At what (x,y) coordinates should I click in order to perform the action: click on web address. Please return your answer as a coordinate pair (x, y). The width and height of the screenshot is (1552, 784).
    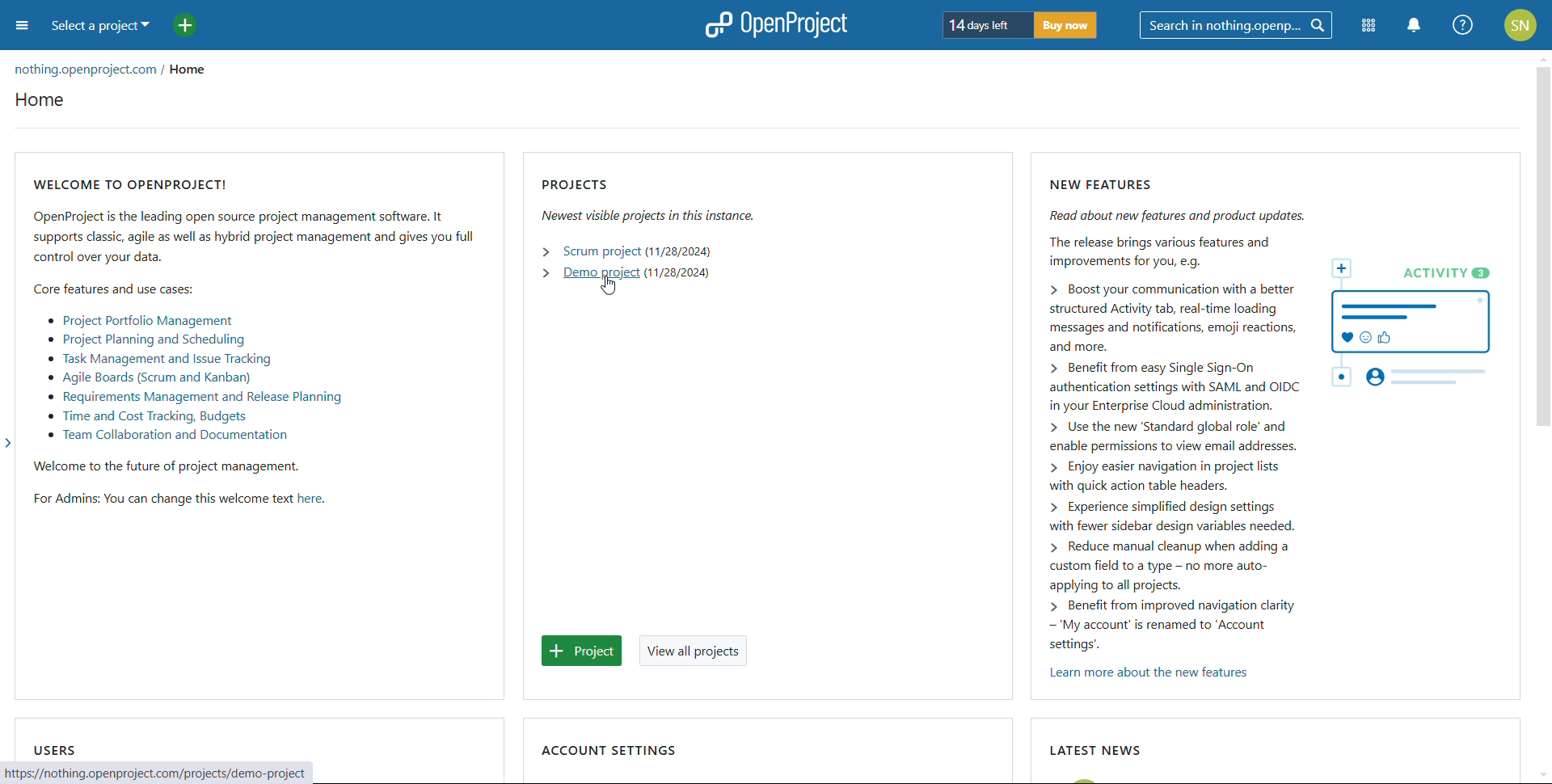
    Looking at the image, I should click on (161, 773).